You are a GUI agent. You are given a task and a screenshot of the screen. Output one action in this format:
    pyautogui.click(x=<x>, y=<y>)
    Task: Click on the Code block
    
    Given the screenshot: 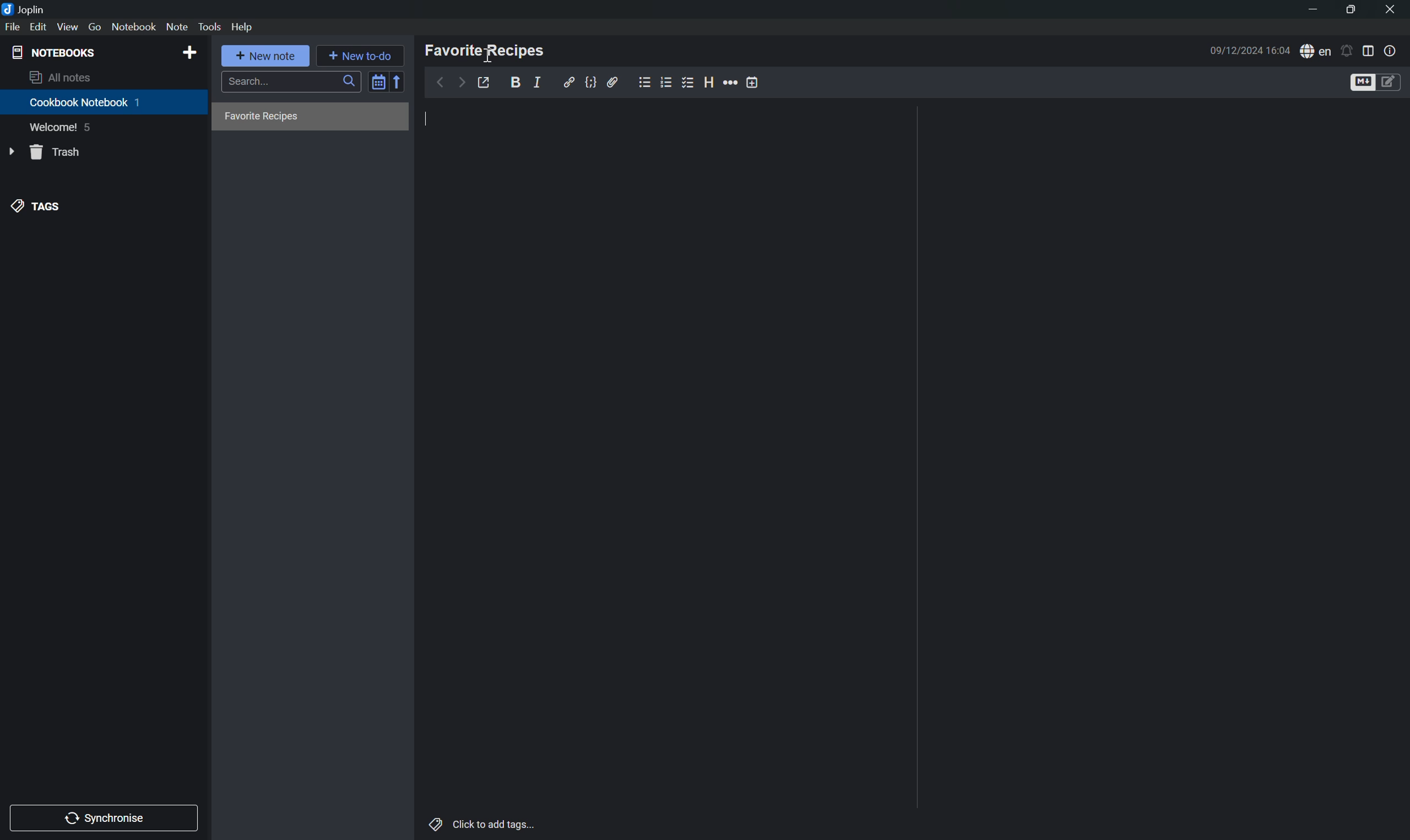 What is the action you would take?
    pyautogui.click(x=593, y=82)
    